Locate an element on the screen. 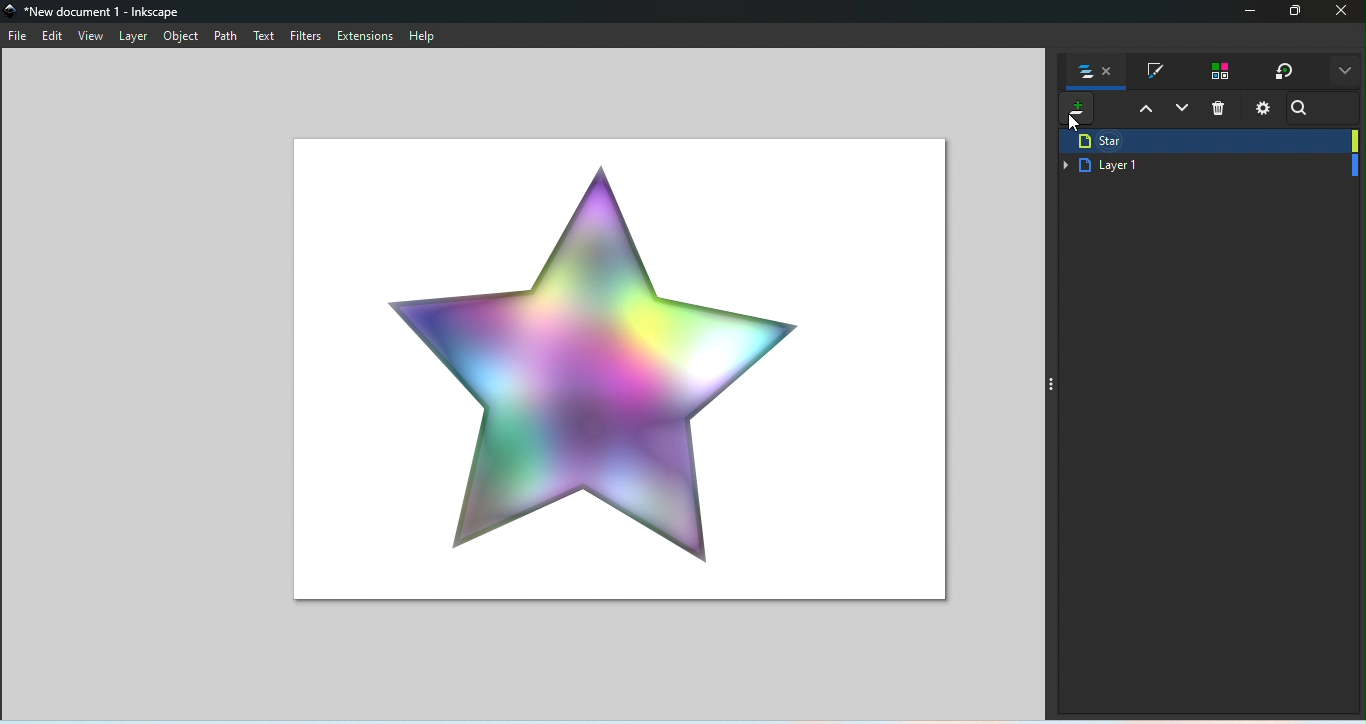  Fill and stroke is located at coordinates (1155, 72).